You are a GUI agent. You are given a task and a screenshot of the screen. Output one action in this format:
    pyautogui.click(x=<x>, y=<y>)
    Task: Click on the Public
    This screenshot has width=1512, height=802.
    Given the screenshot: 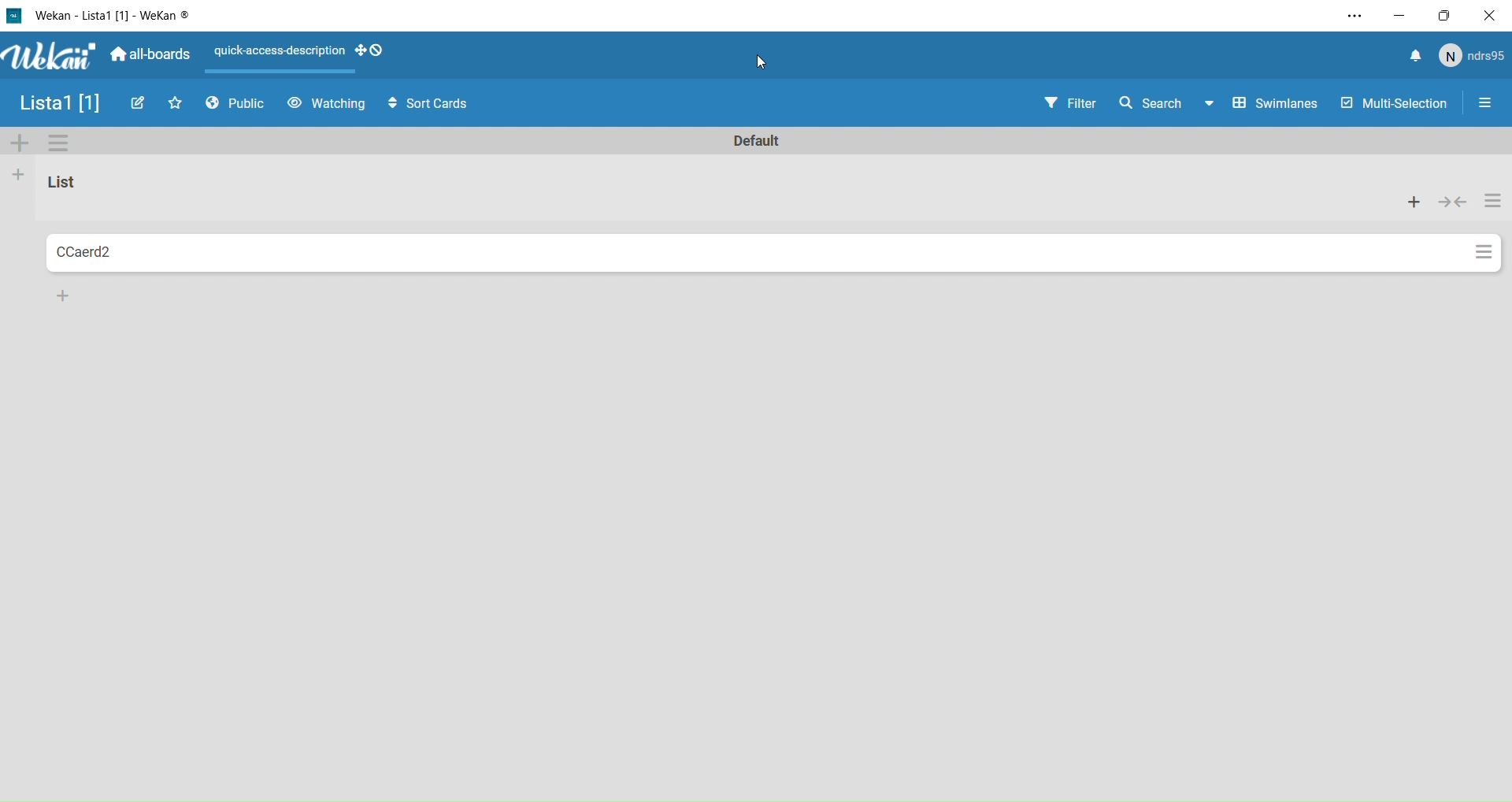 What is the action you would take?
    pyautogui.click(x=238, y=106)
    